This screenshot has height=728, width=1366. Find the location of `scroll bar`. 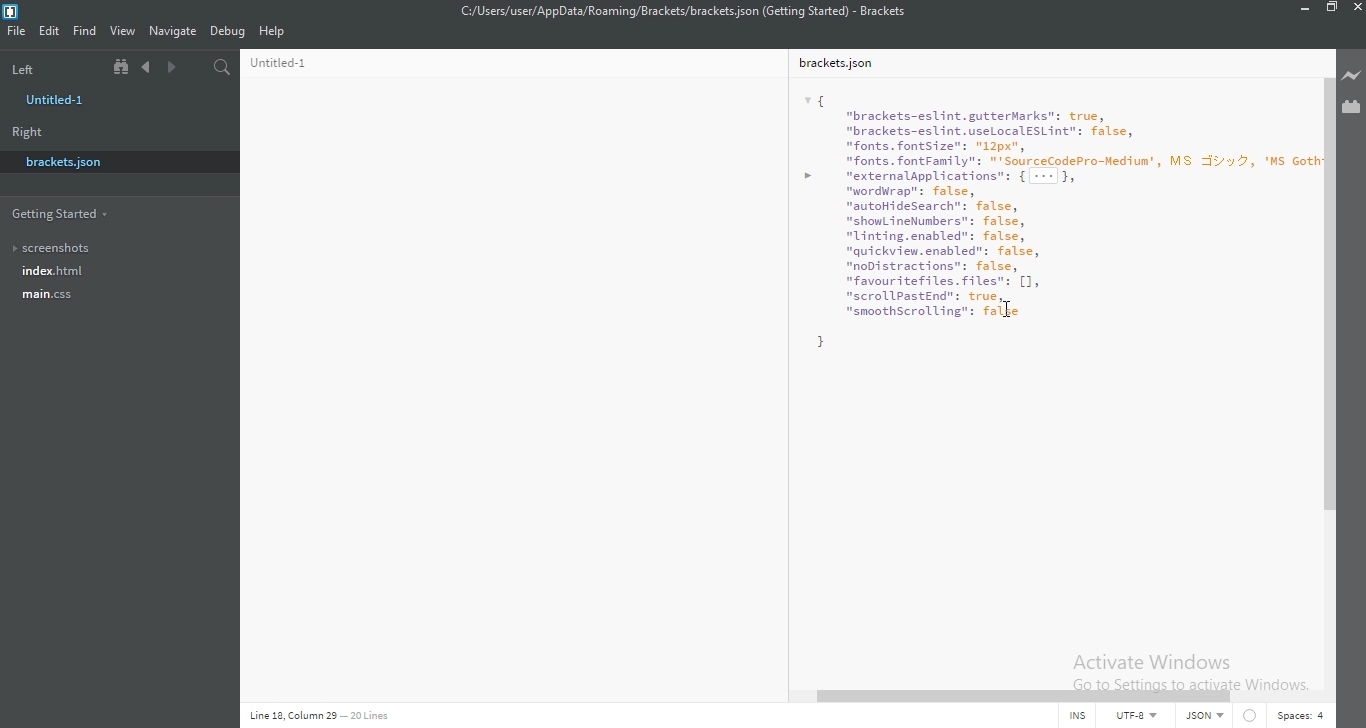

scroll bar is located at coordinates (1330, 293).